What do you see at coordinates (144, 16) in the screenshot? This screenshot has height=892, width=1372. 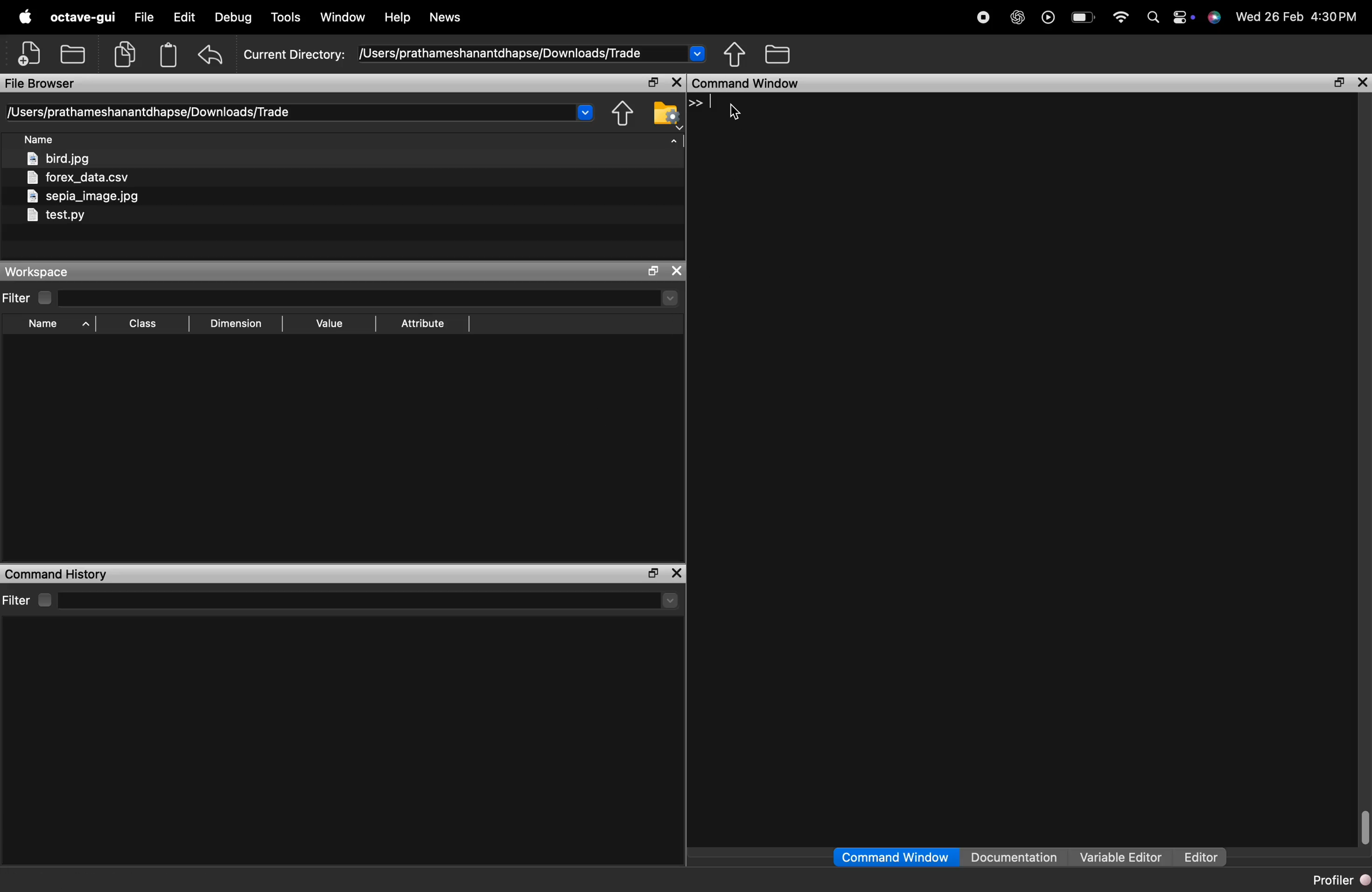 I see `file` at bounding box center [144, 16].